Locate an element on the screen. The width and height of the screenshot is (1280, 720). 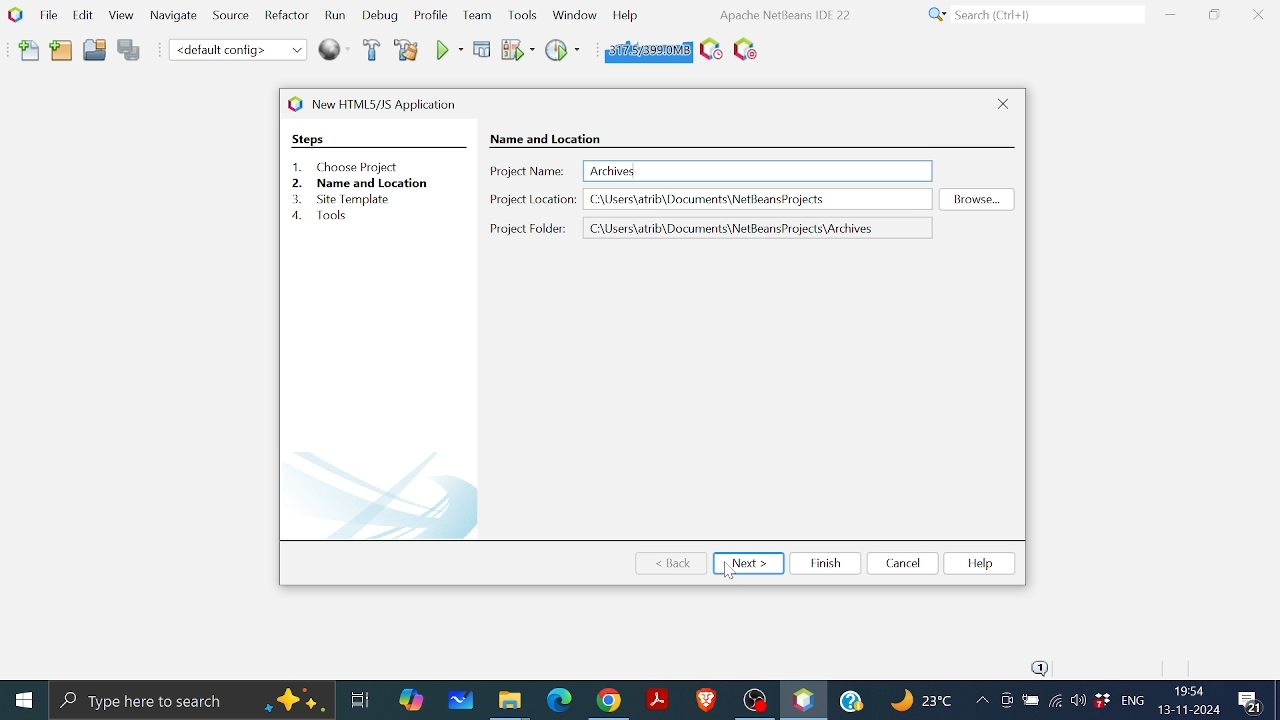
Profile project is located at coordinates (561, 49).